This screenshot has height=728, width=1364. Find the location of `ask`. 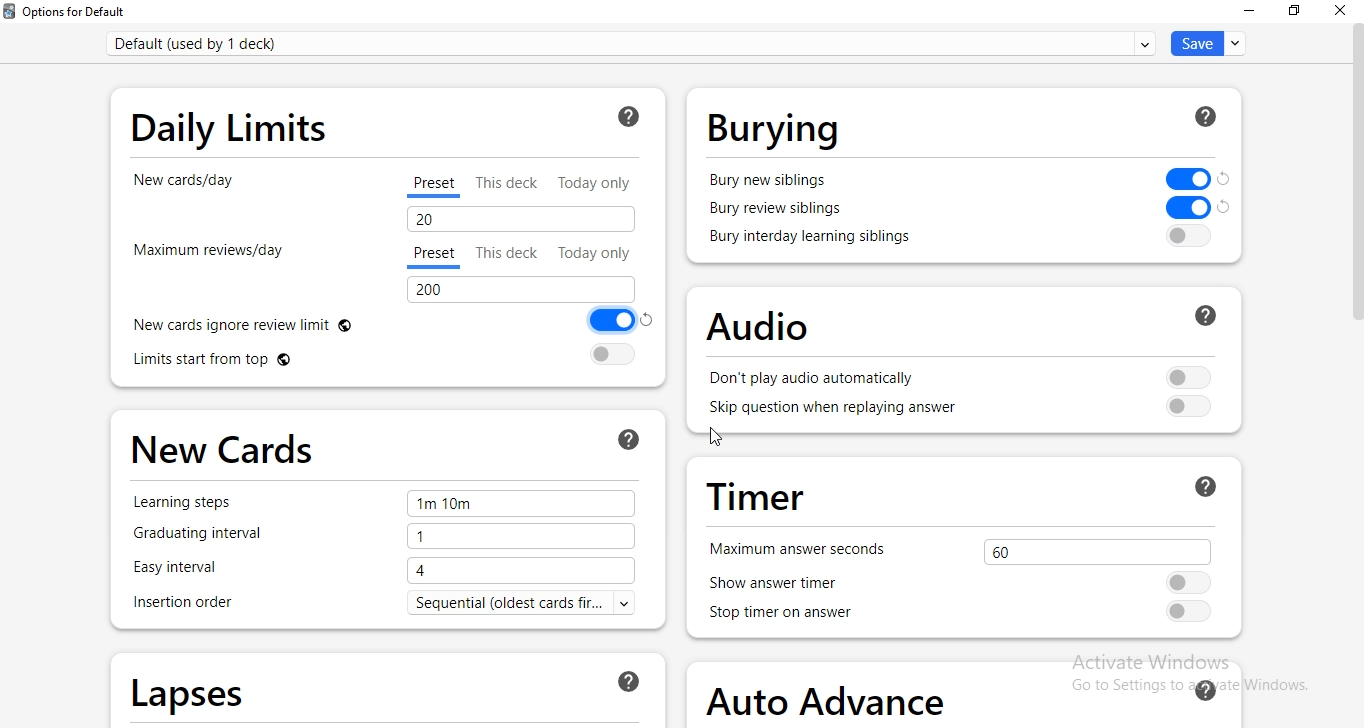

ask is located at coordinates (631, 437).